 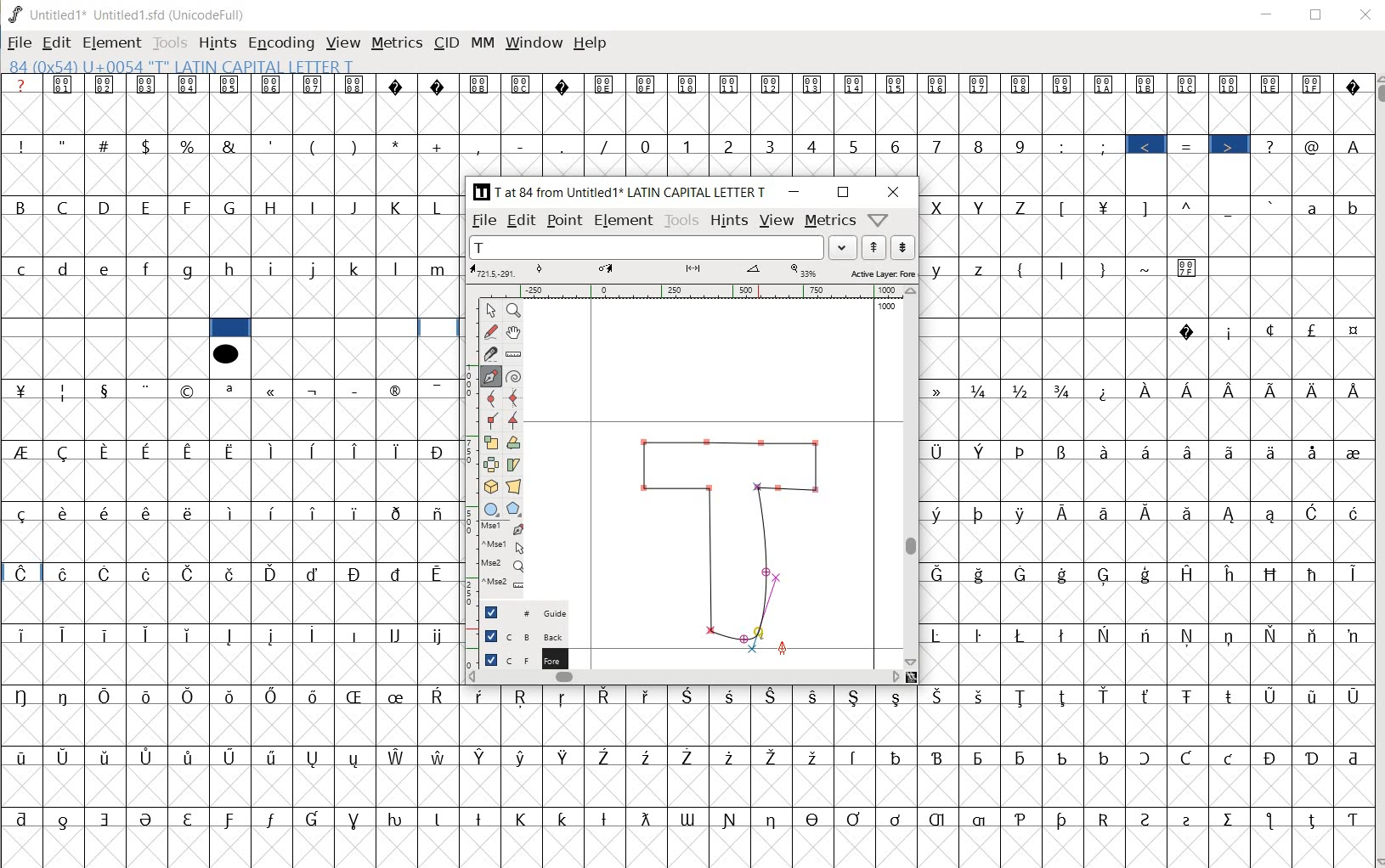 I want to click on Symbol, so click(x=1352, y=450).